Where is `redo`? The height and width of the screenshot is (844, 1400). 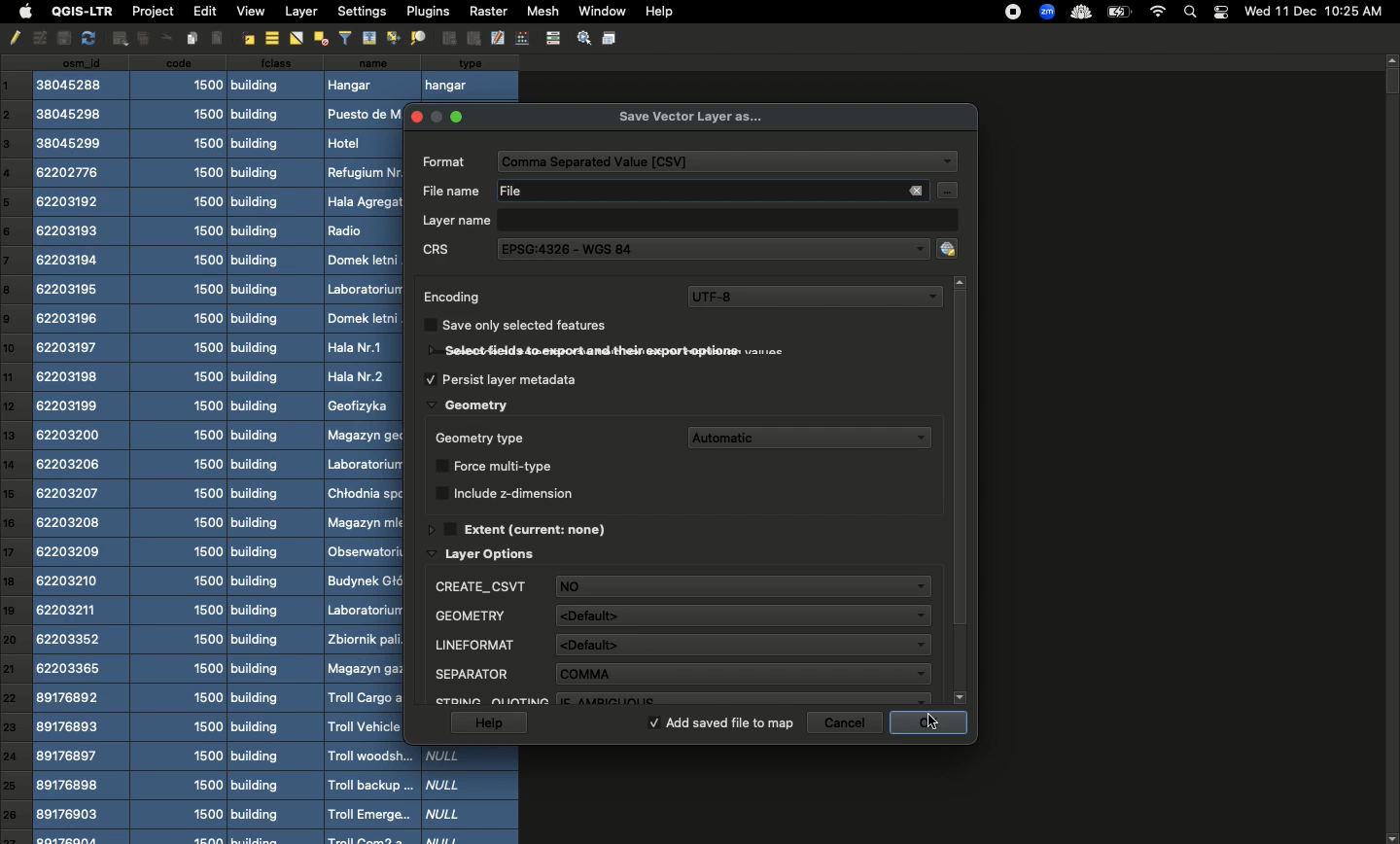
redo is located at coordinates (87, 38).